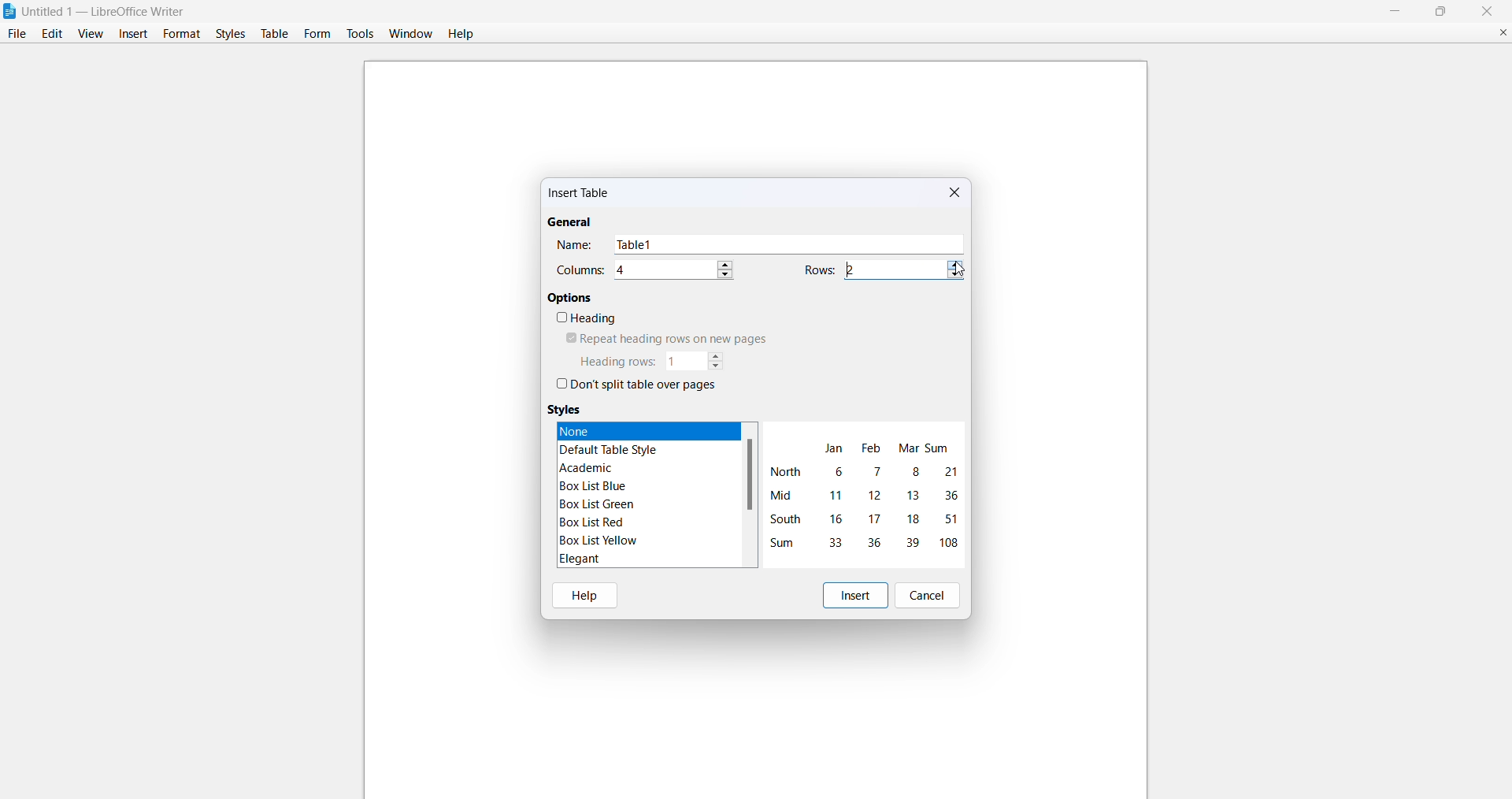 Image resolution: width=1512 pixels, height=799 pixels. Describe the element at coordinates (361, 33) in the screenshot. I see `tools` at that location.